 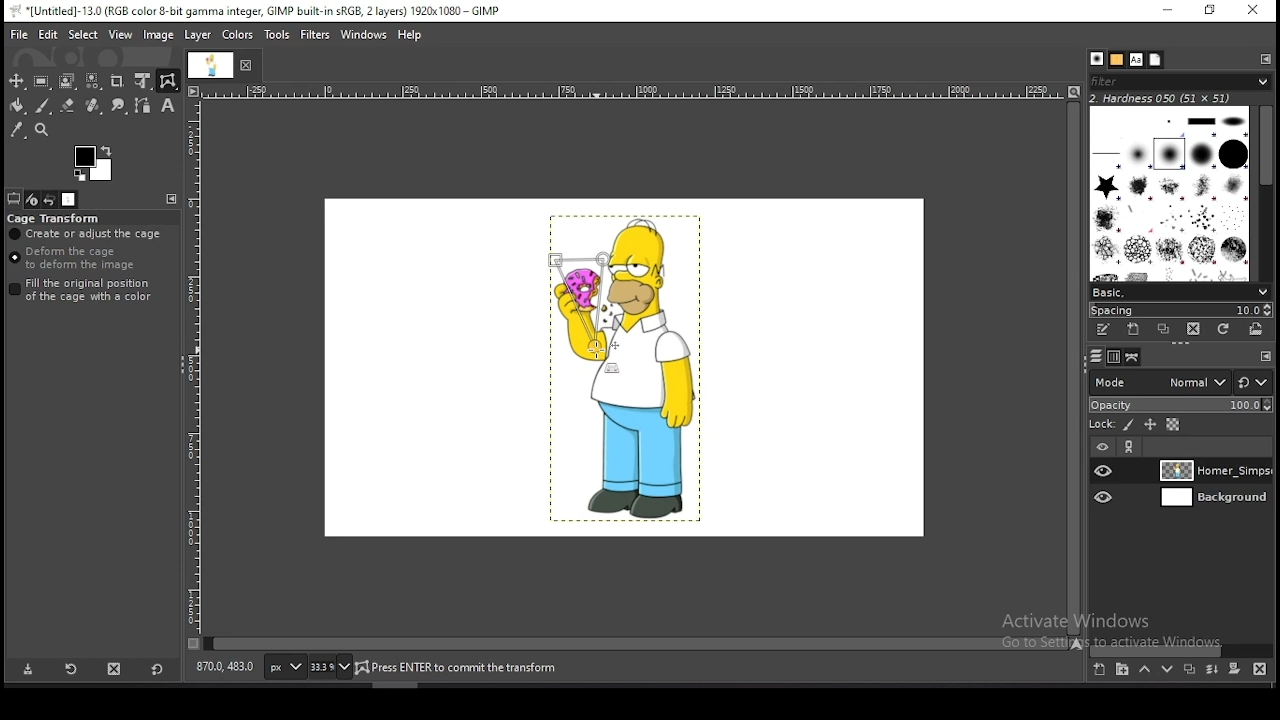 I want to click on scroll bar, so click(x=636, y=642).